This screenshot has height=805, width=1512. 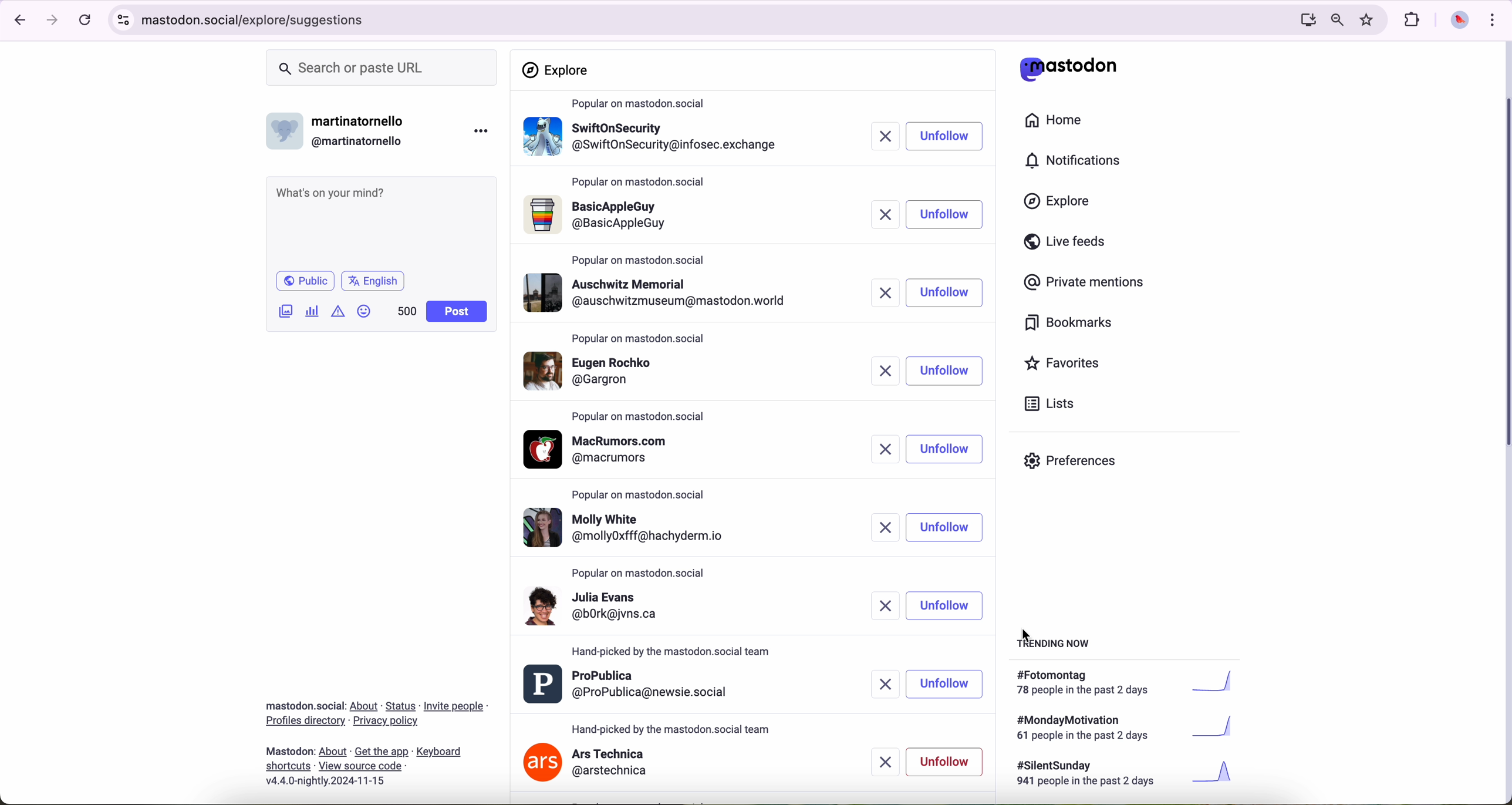 I want to click on bookmarks, so click(x=1069, y=325).